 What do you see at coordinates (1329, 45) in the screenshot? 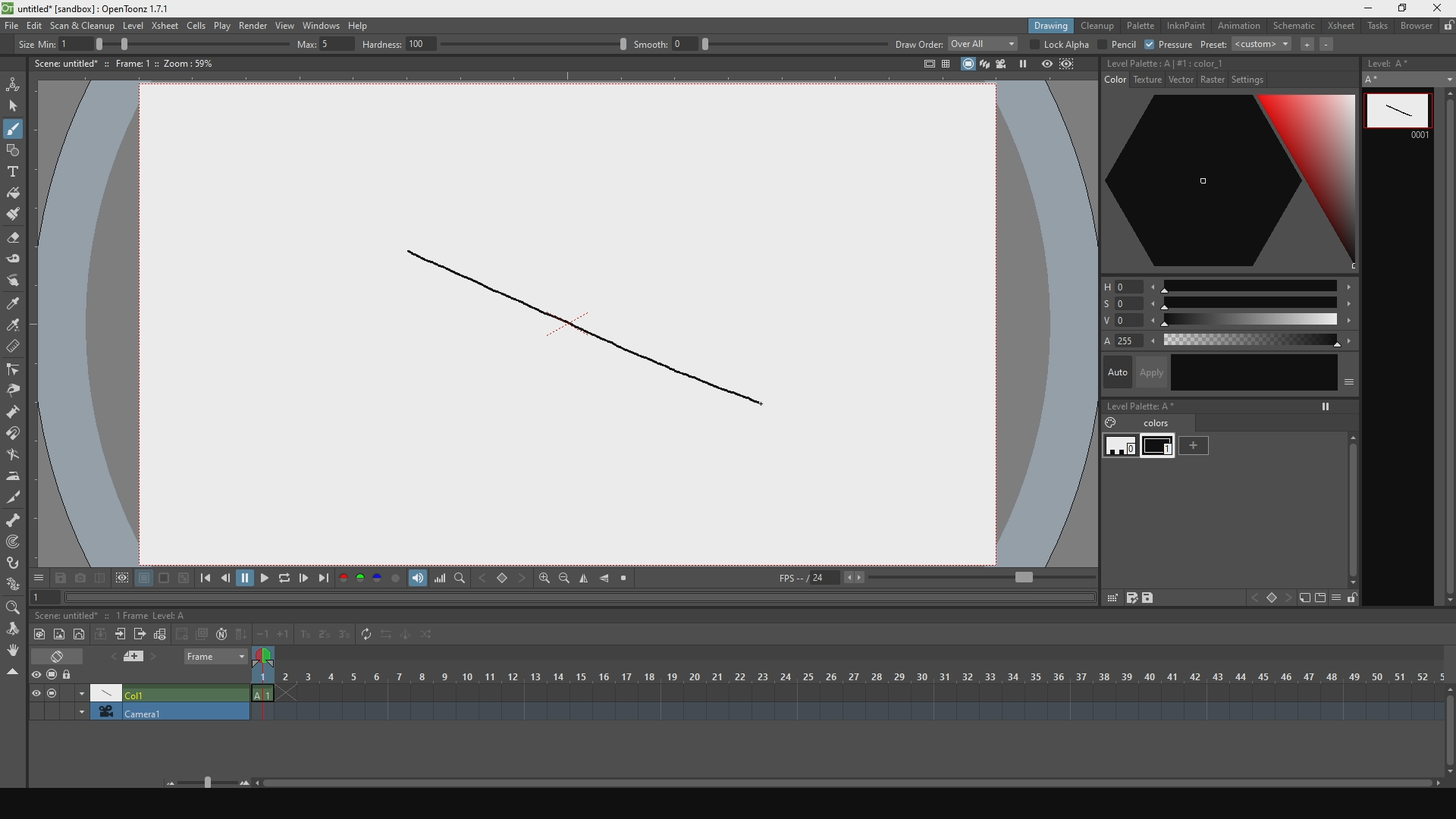
I see `` at bounding box center [1329, 45].